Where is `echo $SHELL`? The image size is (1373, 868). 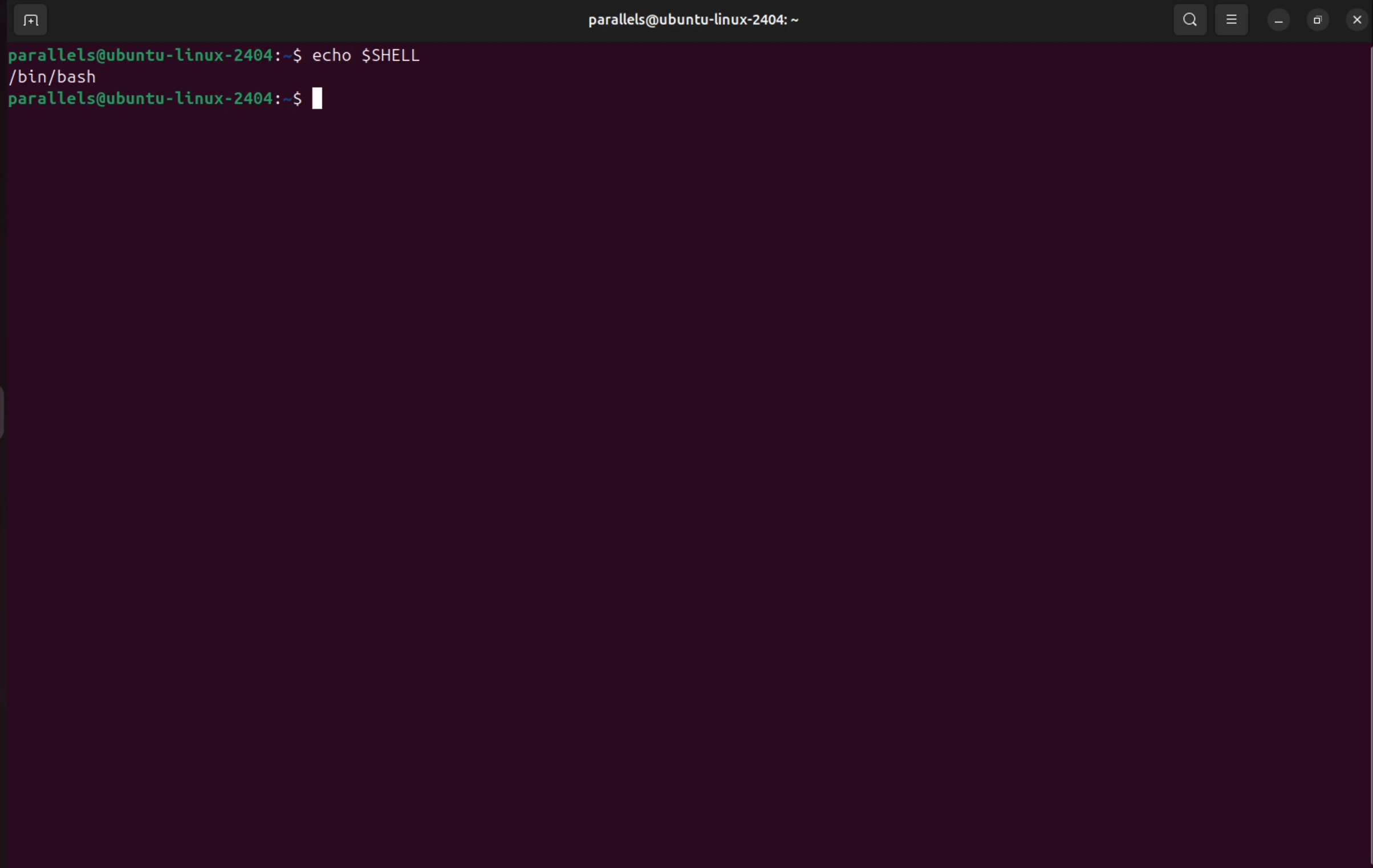
echo $SHELL is located at coordinates (373, 56).